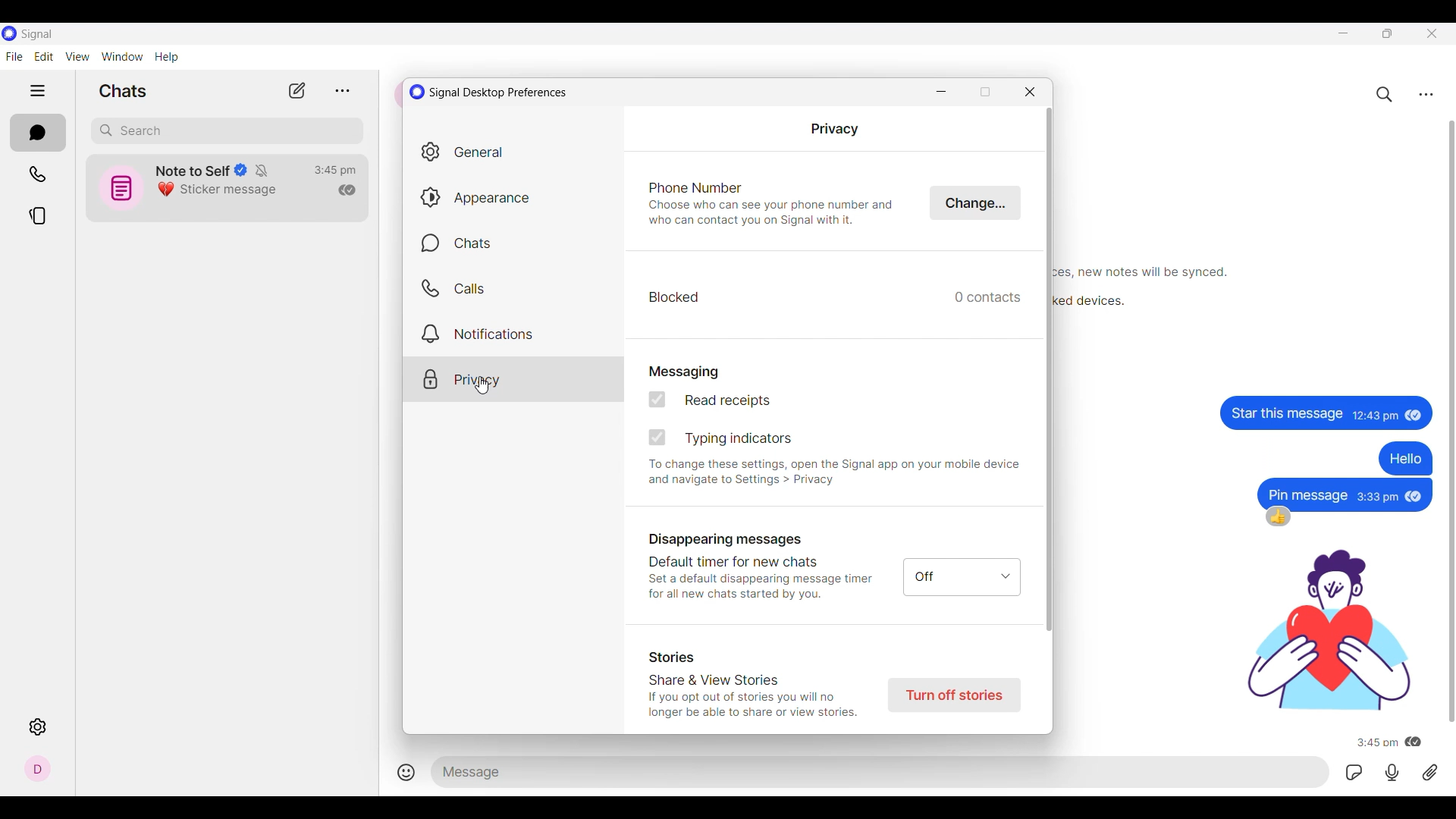 This screenshot has width=1456, height=819. What do you see at coordinates (10, 33) in the screenshot?
I see `Software logo` at bounding box center [10, 33].